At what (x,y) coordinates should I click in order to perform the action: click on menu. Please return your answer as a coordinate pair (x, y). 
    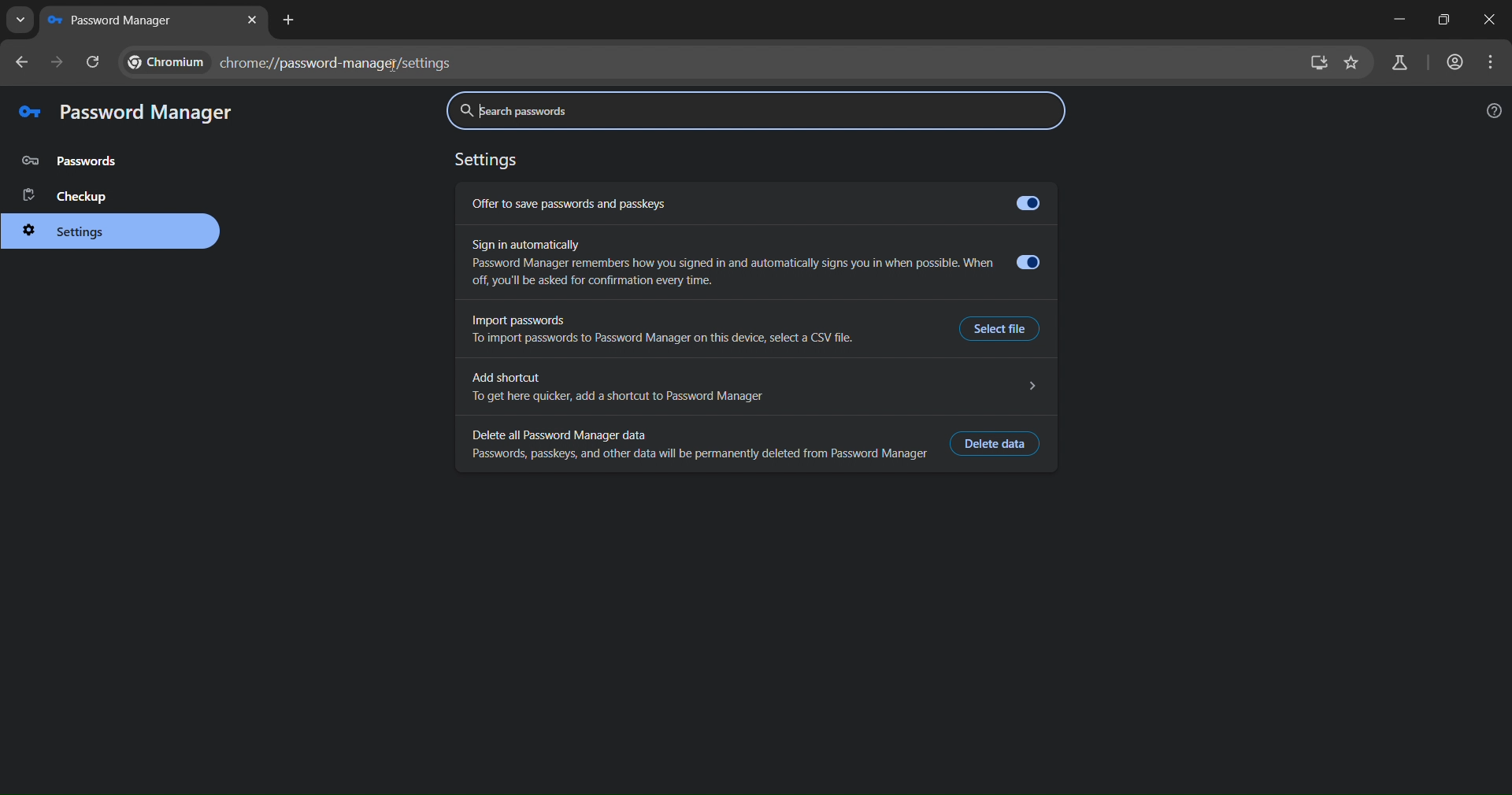
    Looking at the image, I should click on (1492, 62).